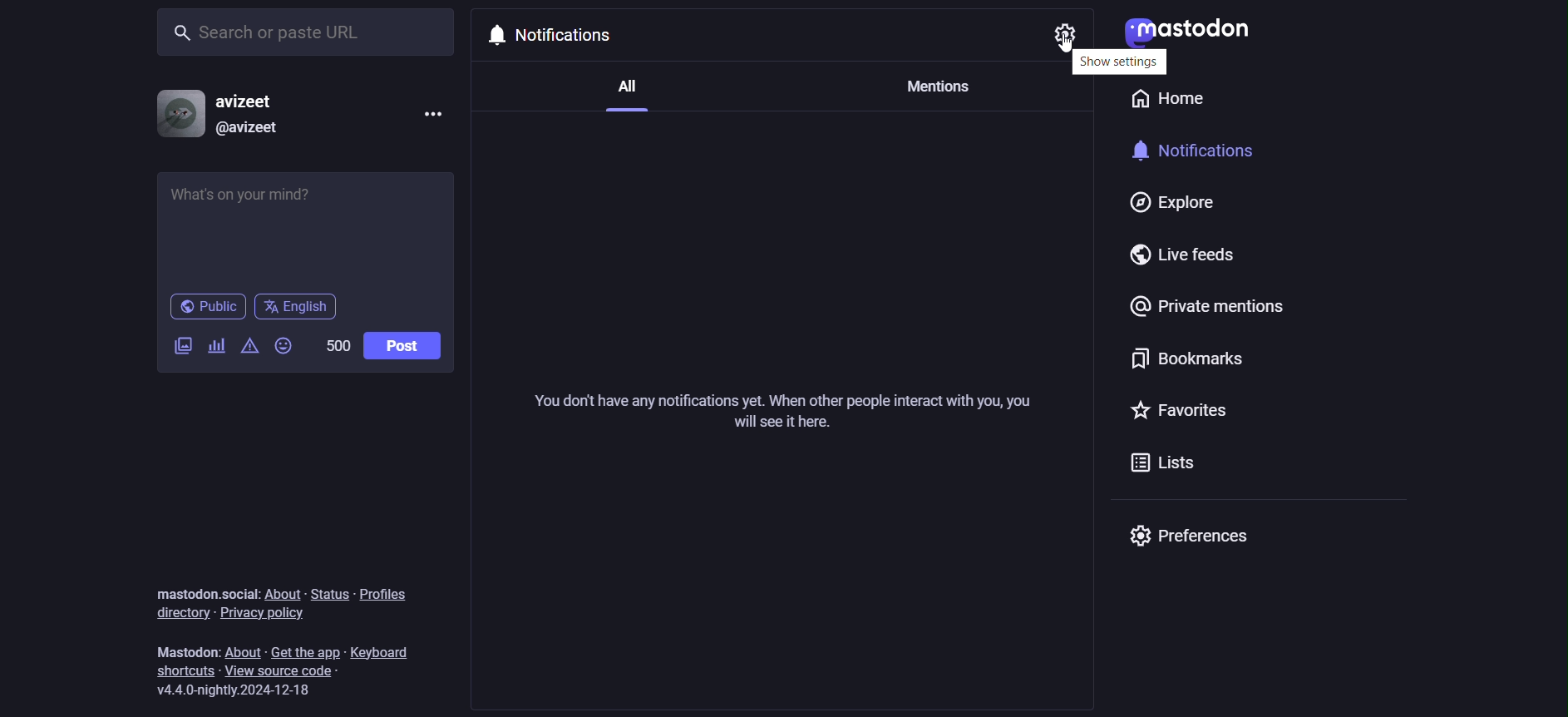 The height and width of the screenshot is (717, 1568). I want to click on view source code, so click(294, 670).